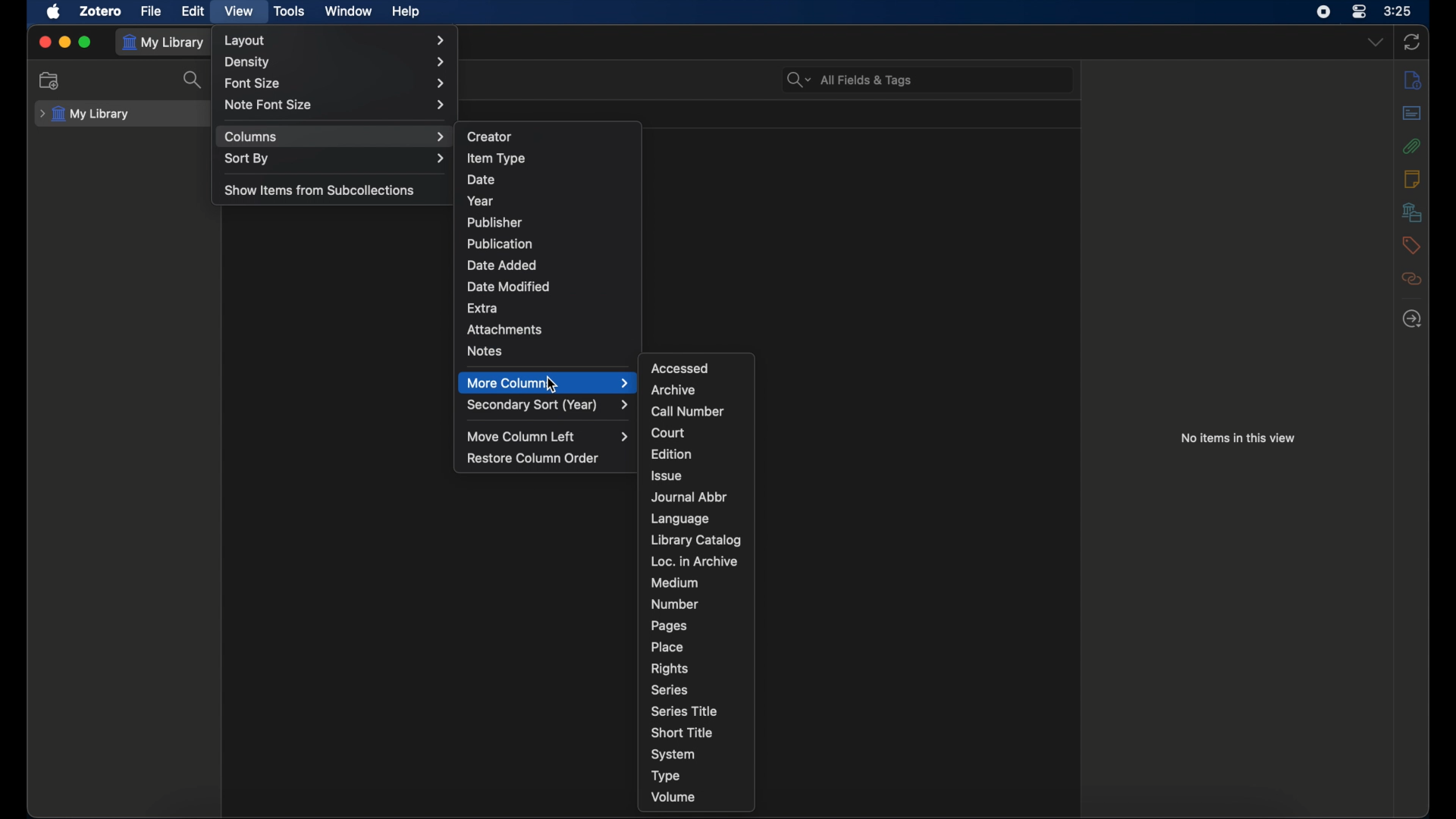 This screenshot has width=1456, height=819. I want to click on medium, so click(675, 583).